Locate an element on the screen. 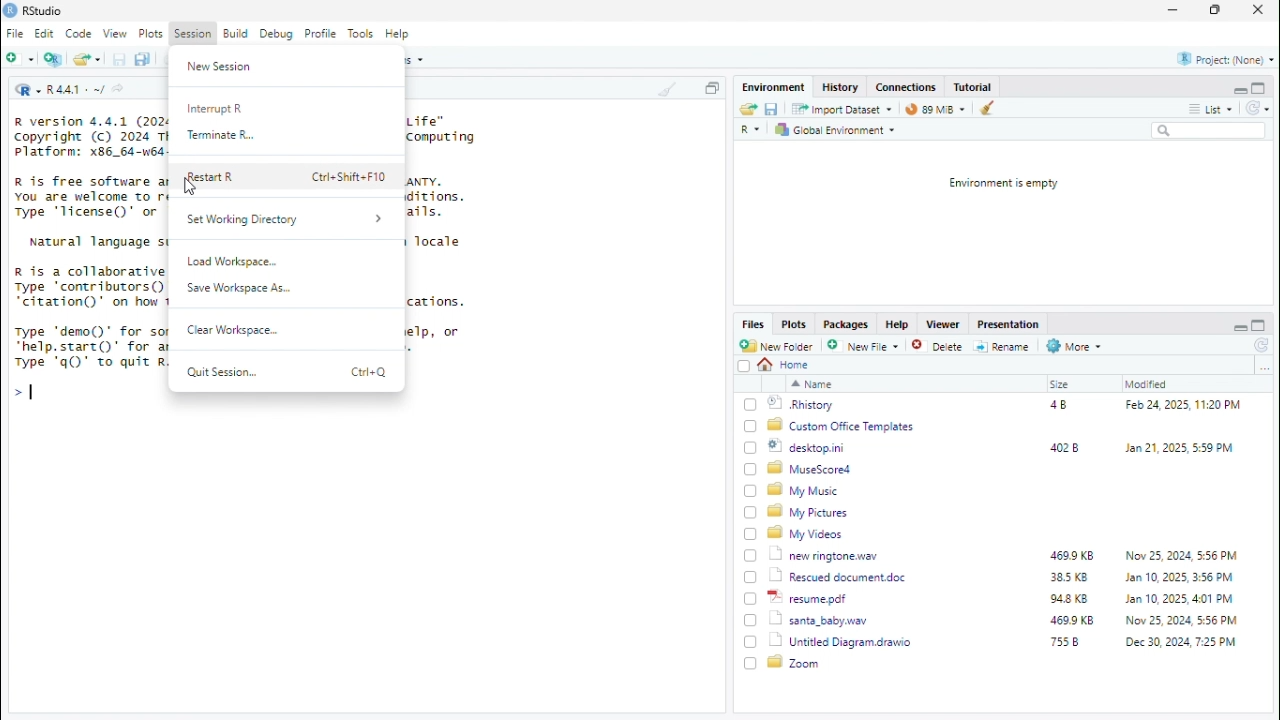  Clear Workspace... is located at coordinates (233, 330).